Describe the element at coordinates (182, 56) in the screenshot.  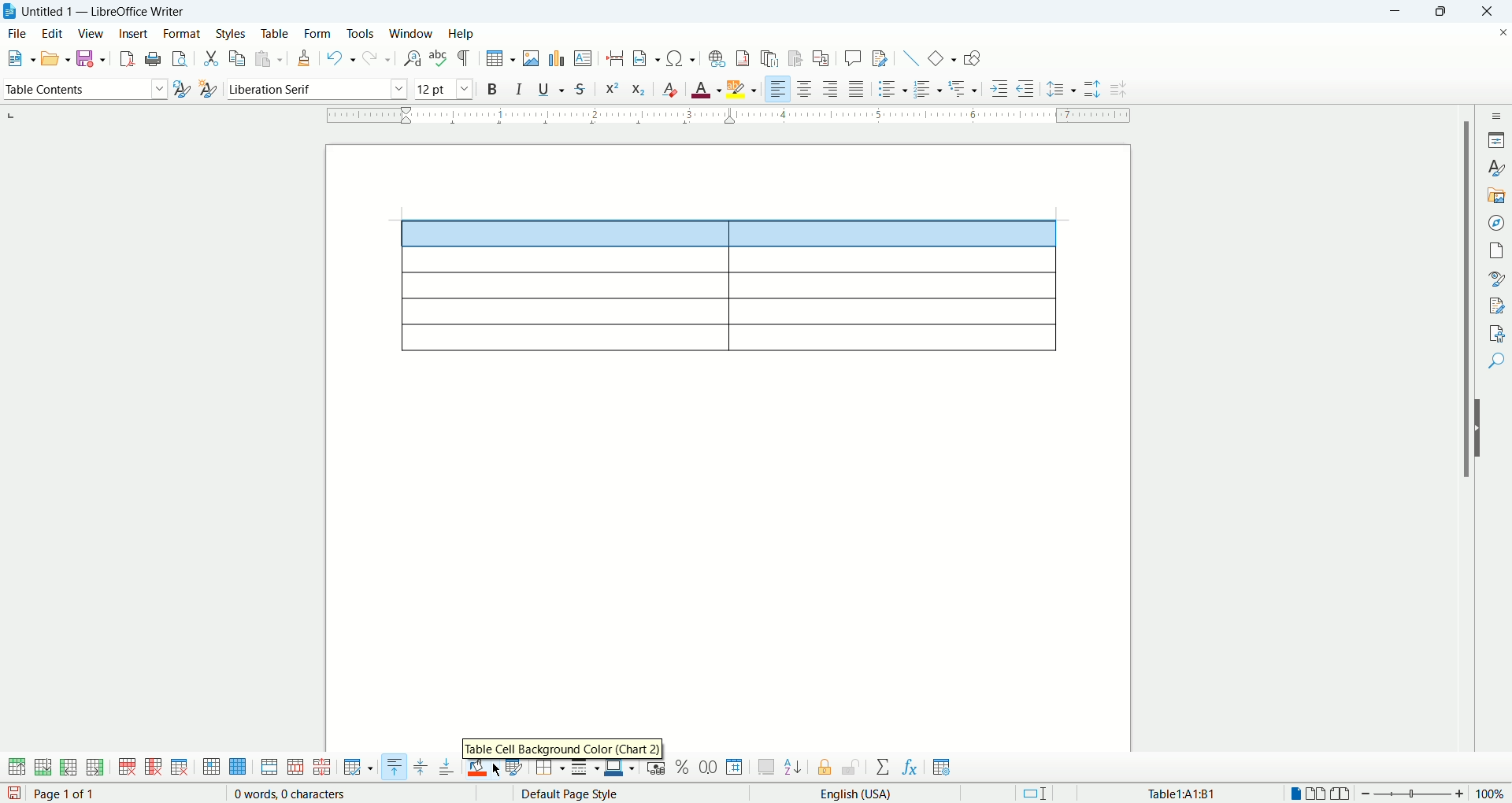
I see `print preview` at that location.